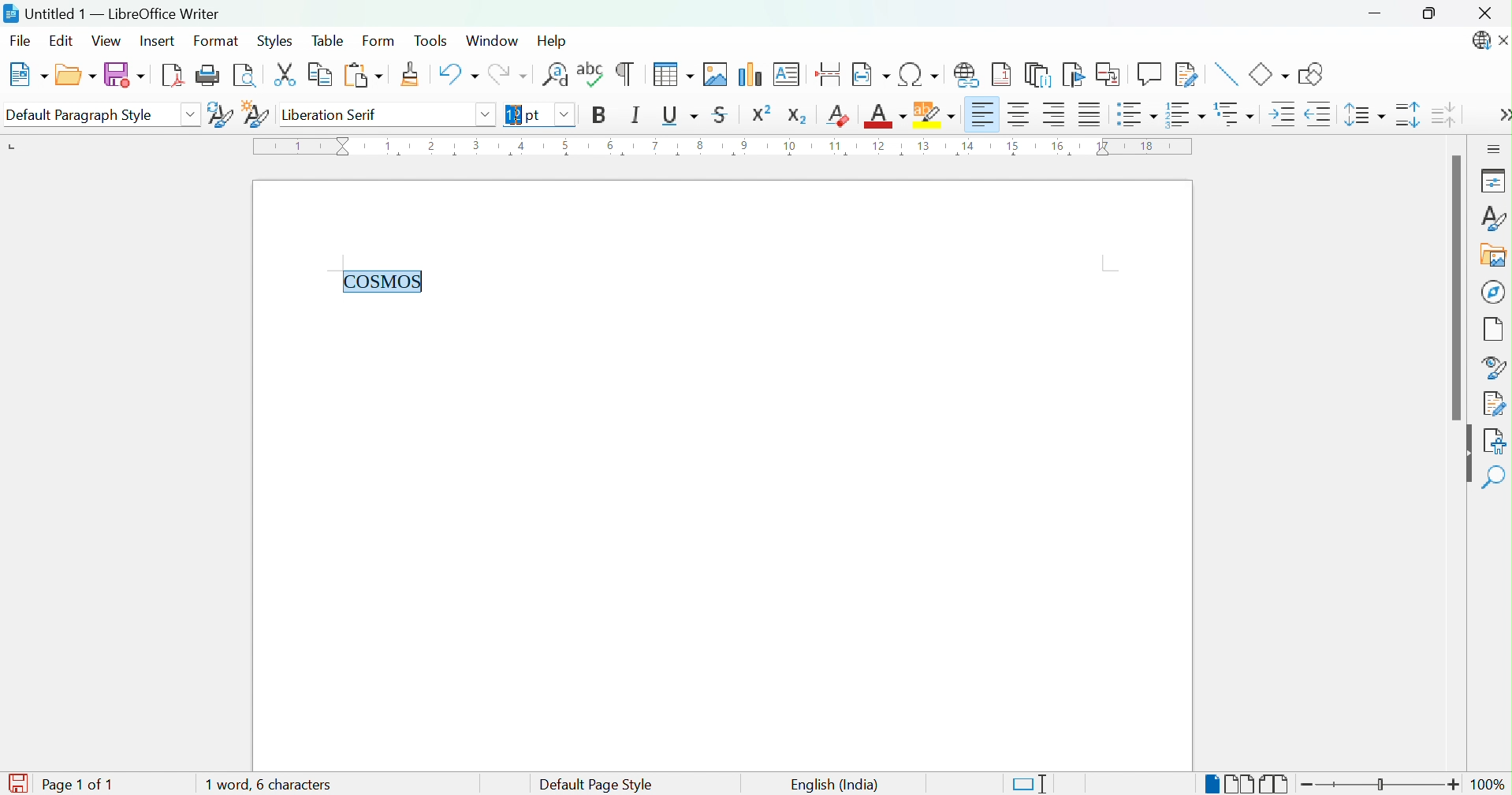  What do you see at coordinates (884, 117) in the screenshot?
I see `Font Color` at bounding box center [884, 117].